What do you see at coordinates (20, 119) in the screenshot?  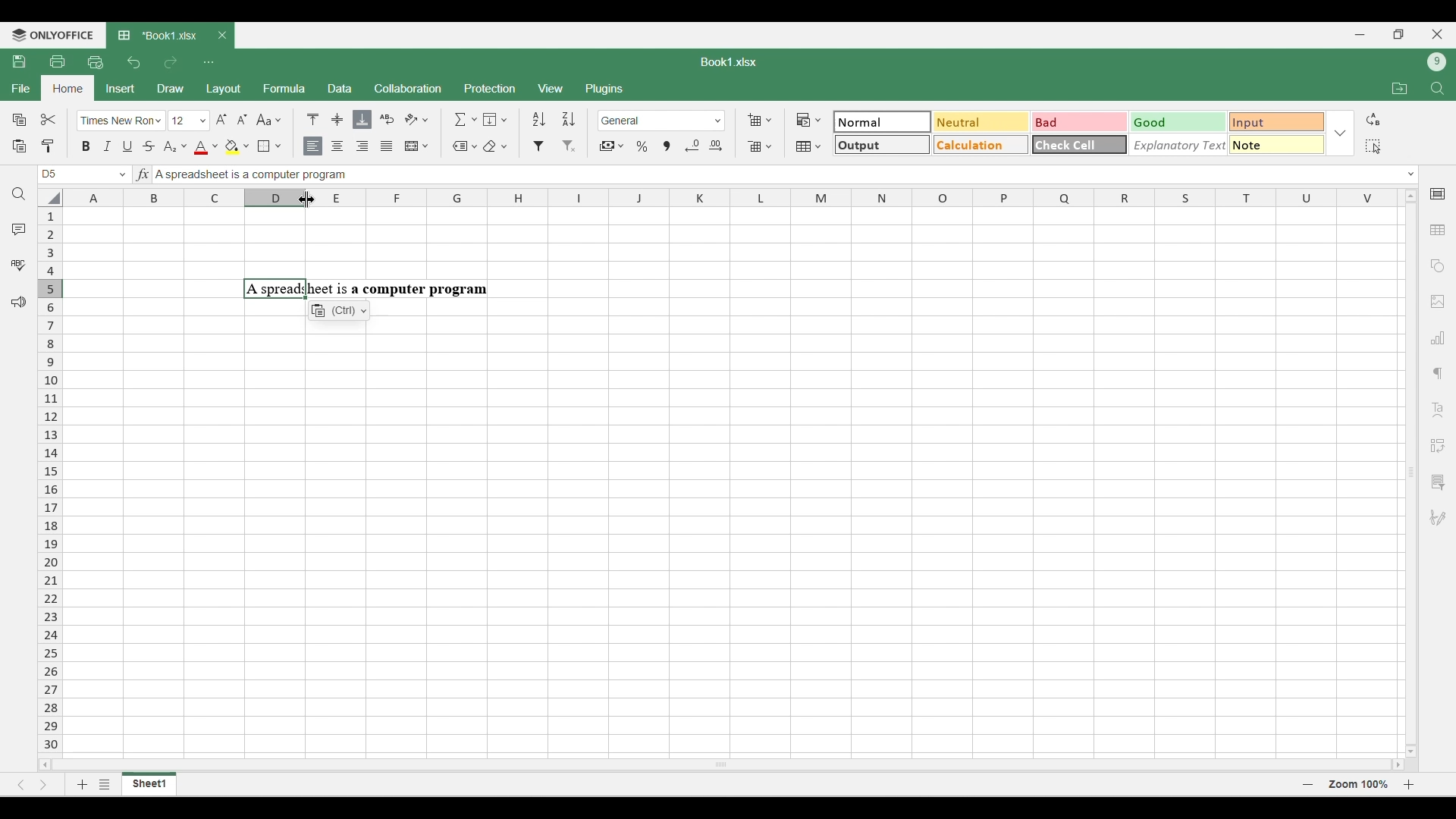 I see `Copy` at bounding box center [20, 119].